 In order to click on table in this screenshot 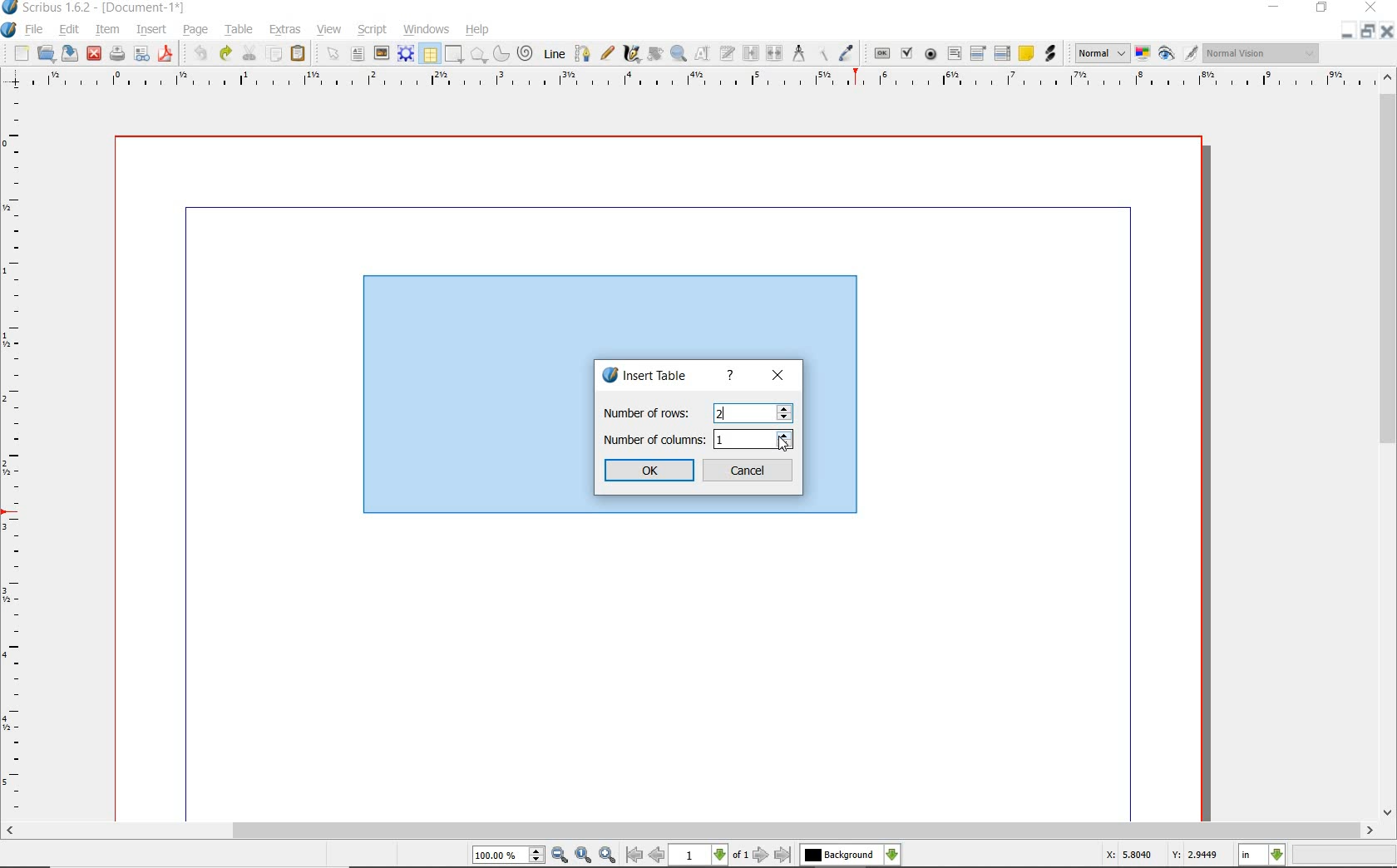, I will do `click(240, 31)`.